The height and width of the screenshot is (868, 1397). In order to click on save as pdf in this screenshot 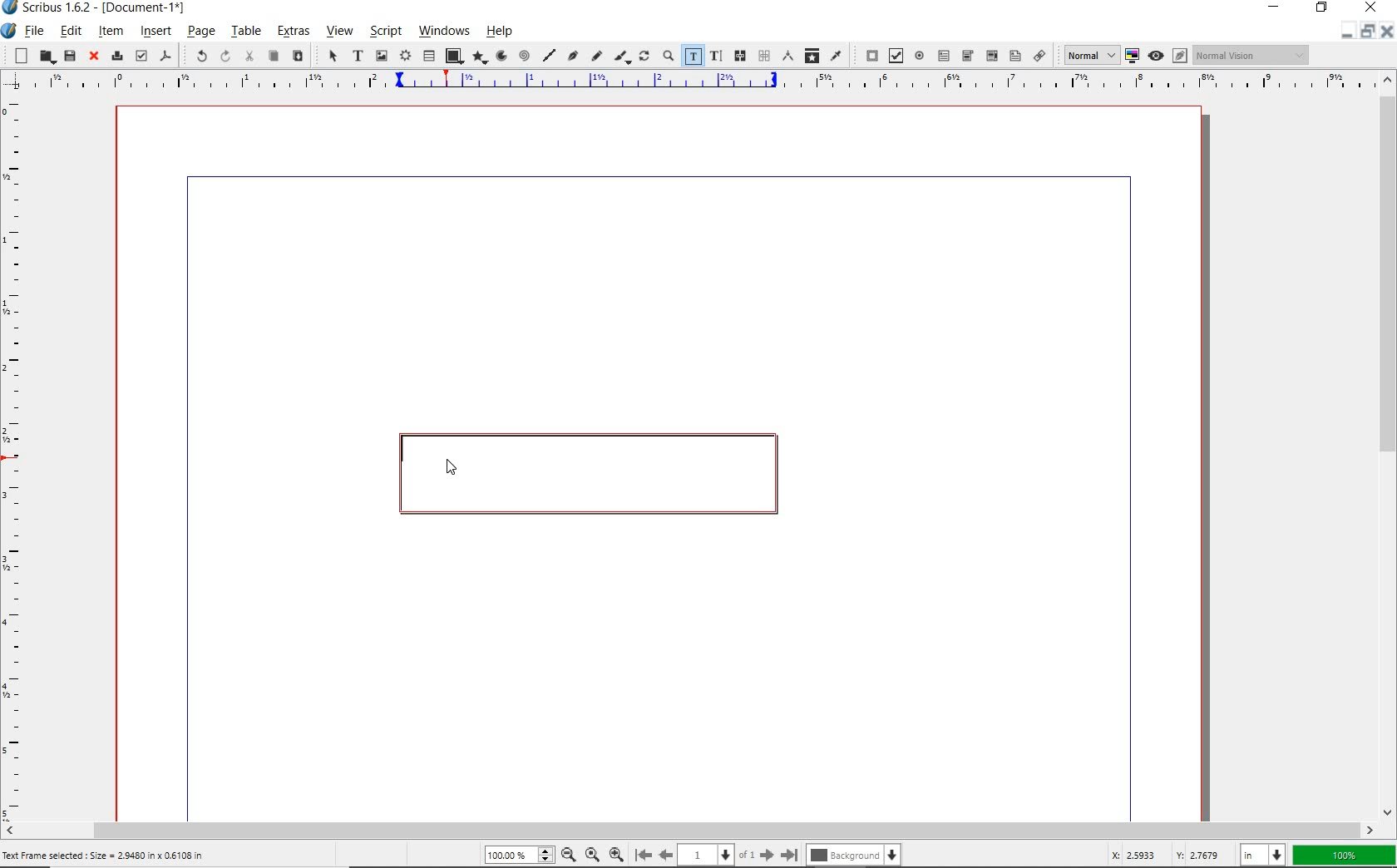, I will do `click(166, 57)`.